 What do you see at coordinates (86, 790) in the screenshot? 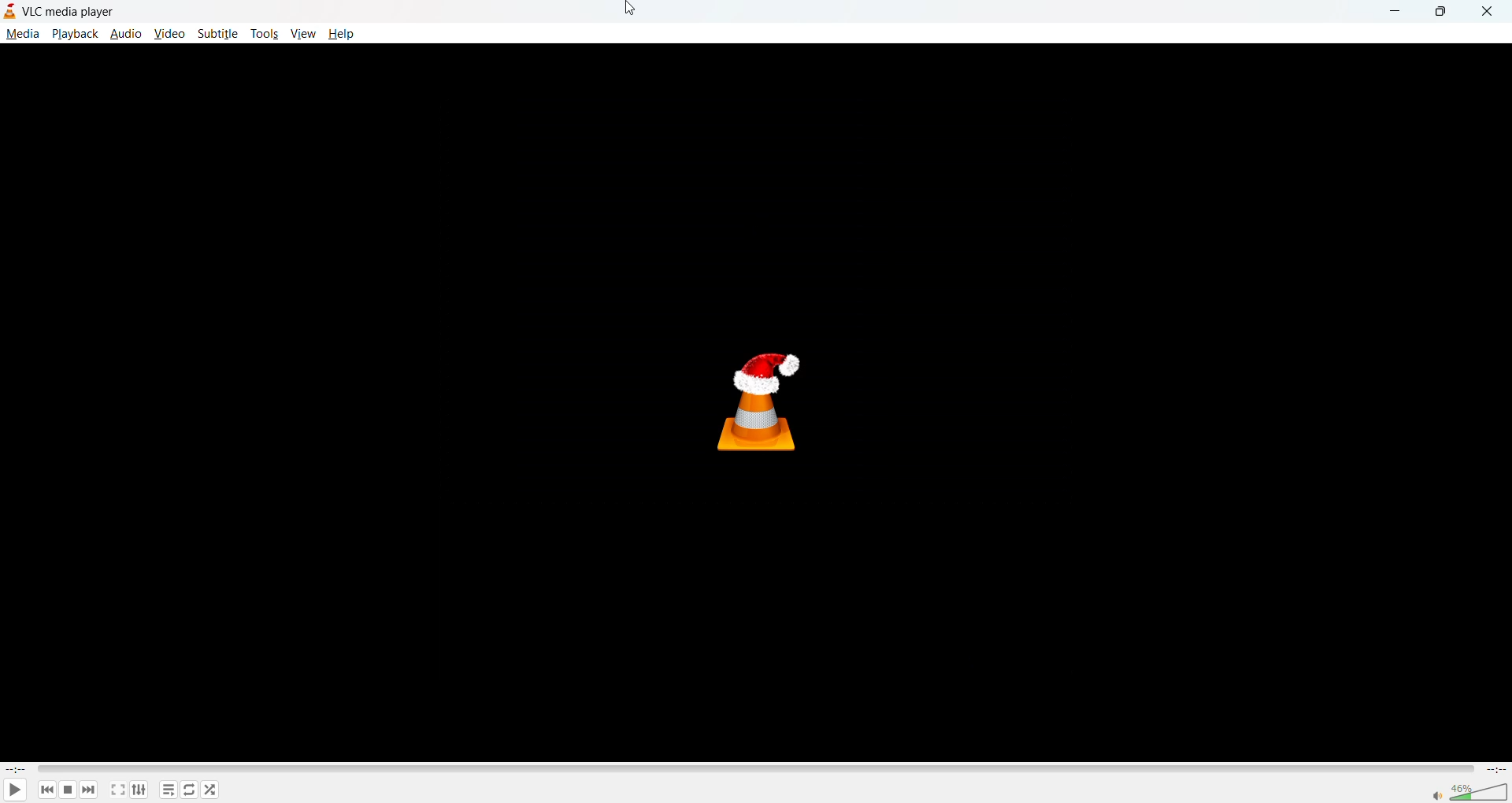
I see `next` at bounding box center [86, 790].